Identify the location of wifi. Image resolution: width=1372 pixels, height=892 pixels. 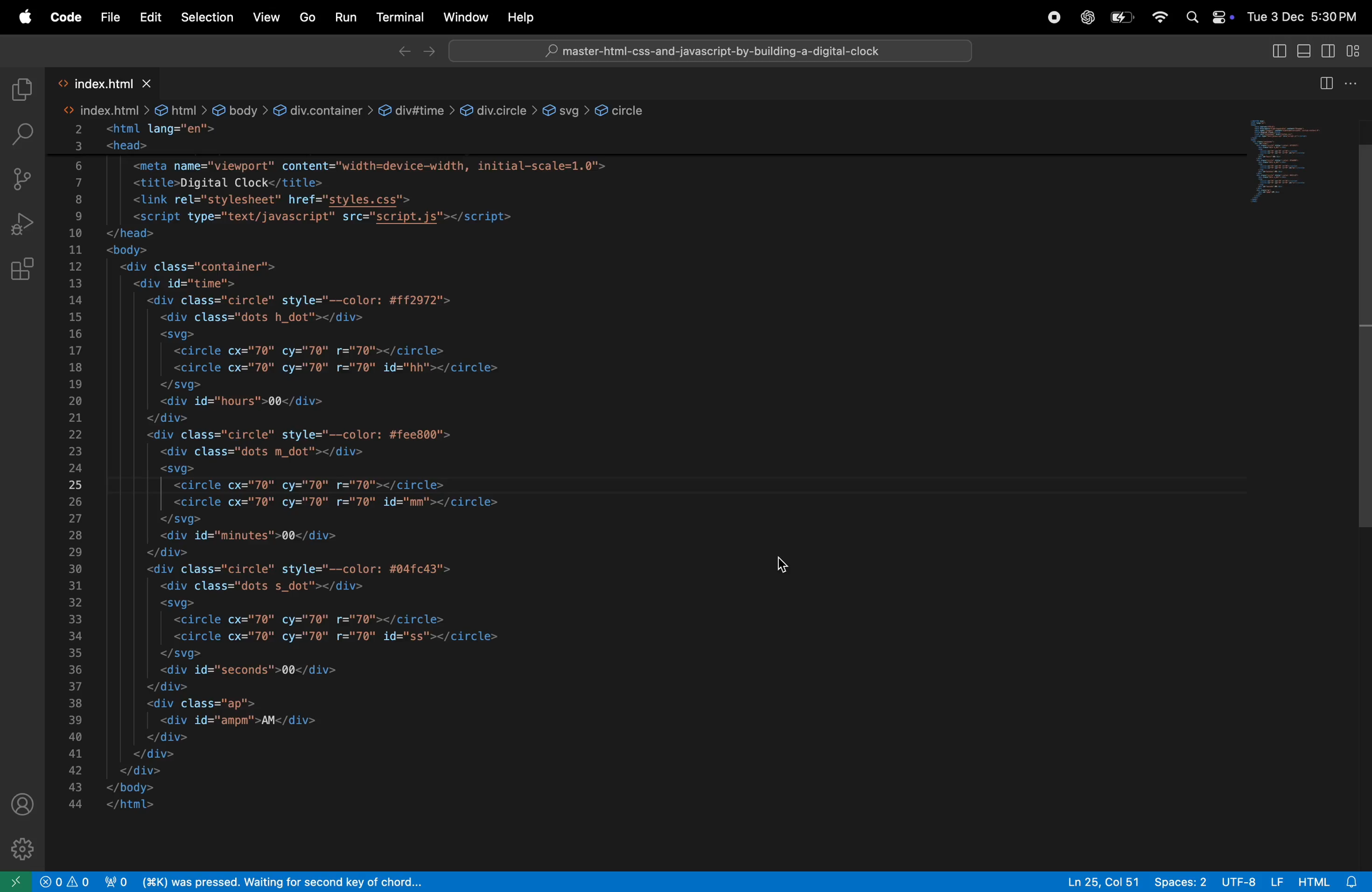
(1158, 19).